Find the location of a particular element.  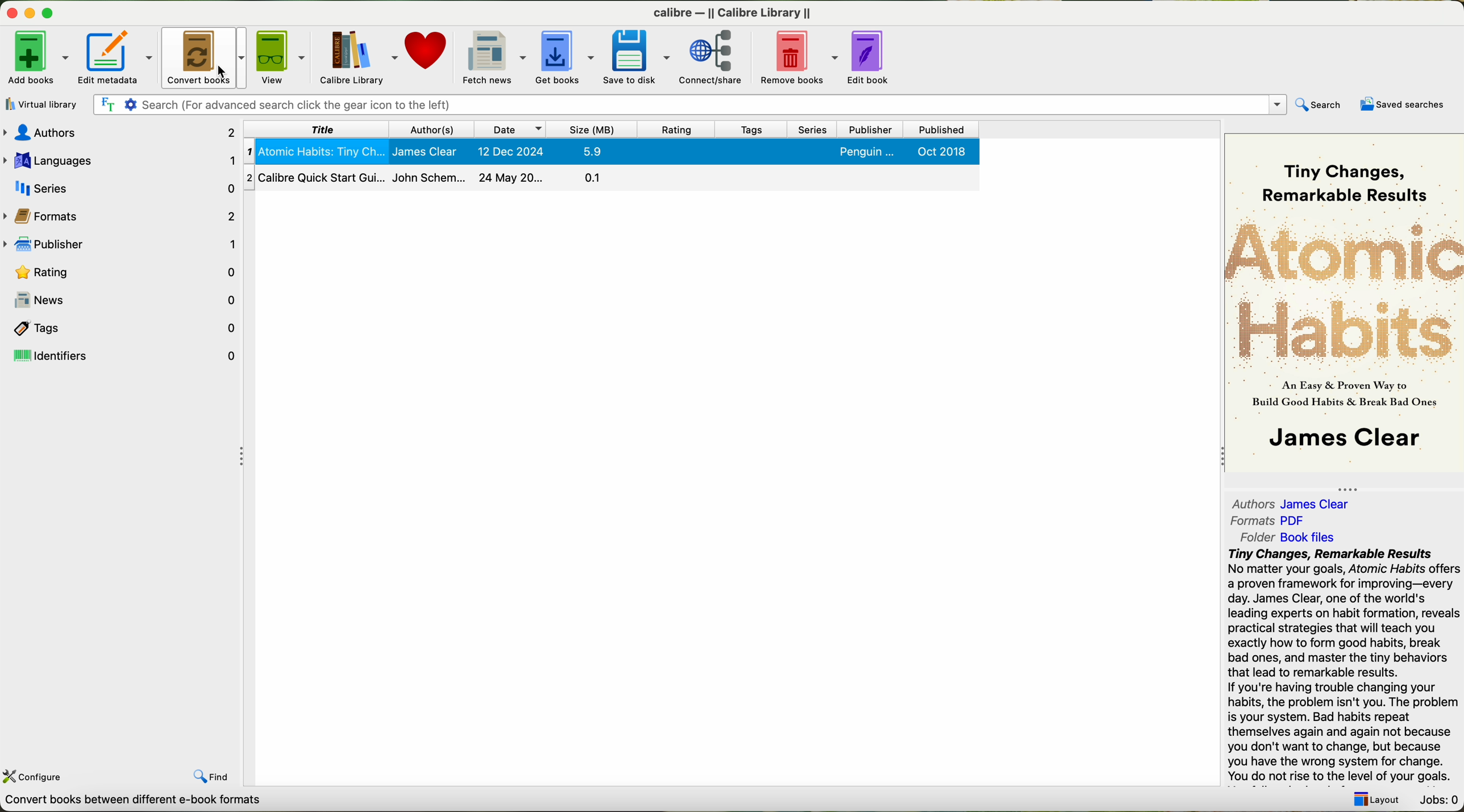

identifiers is located at coordinates (122, 355).